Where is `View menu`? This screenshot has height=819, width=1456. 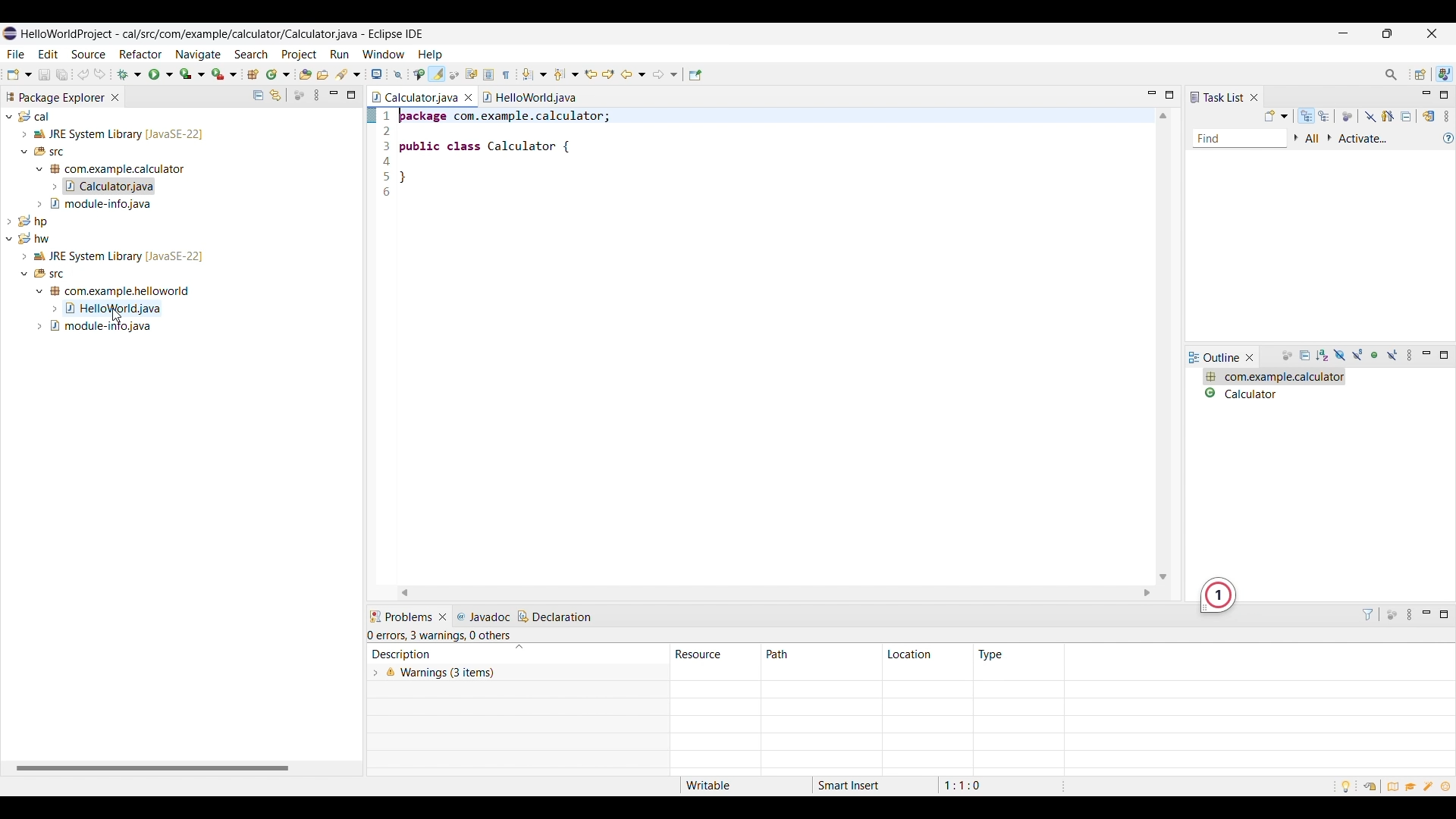 View menu is located at coordinates (1446, 116).